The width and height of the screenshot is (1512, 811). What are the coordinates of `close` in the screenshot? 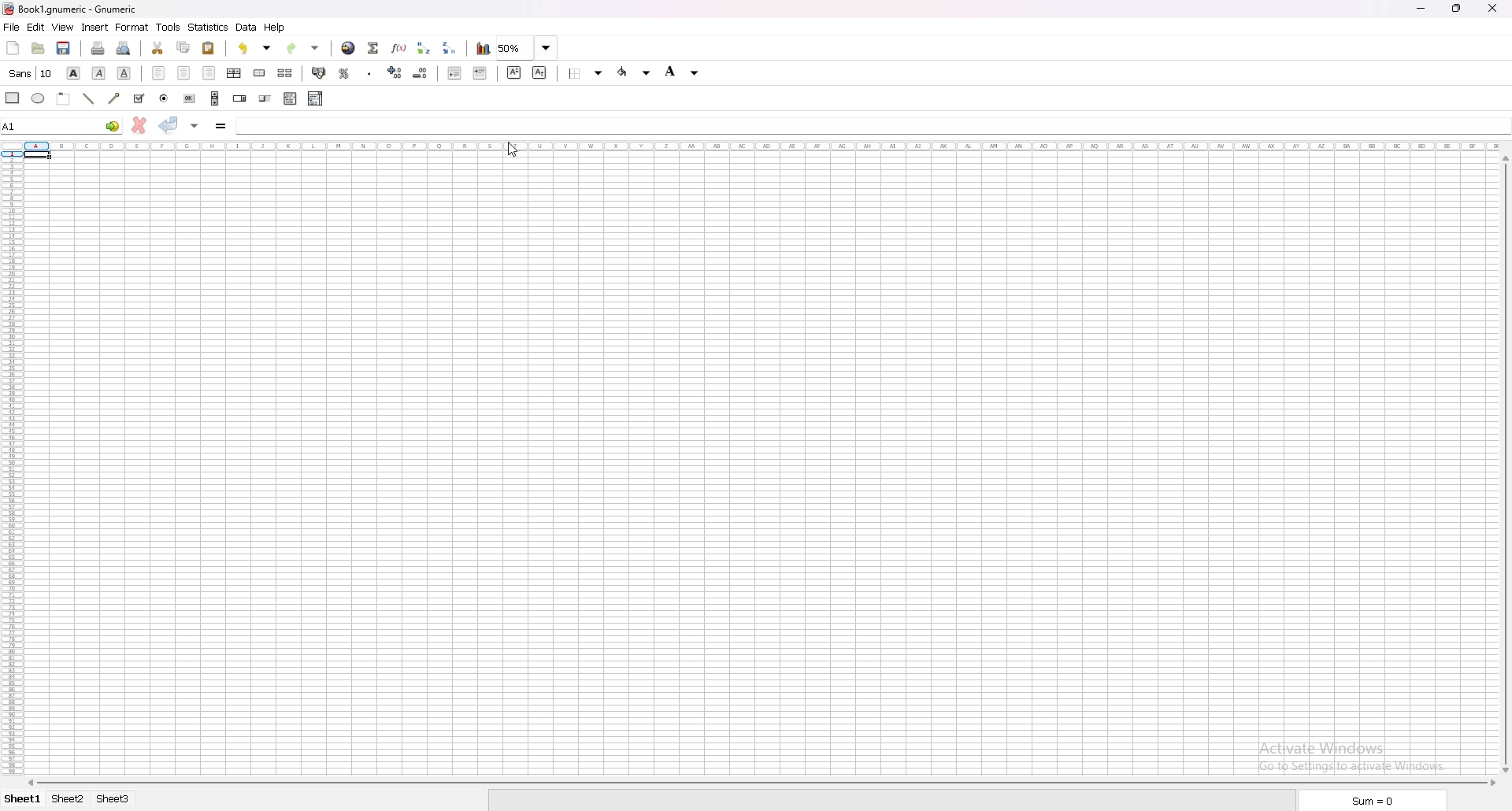 It's located at (1493, 9).